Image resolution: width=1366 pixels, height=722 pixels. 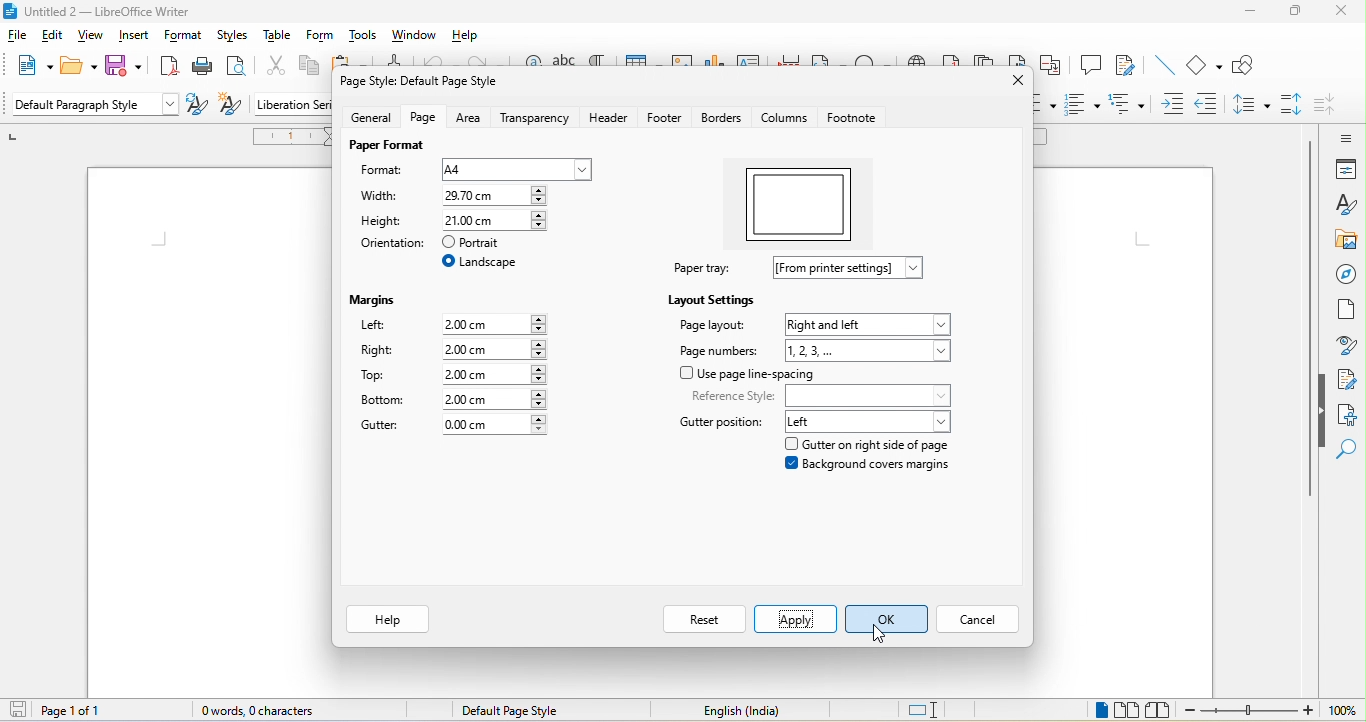 I want to click on general, so click(x=363, y=117).